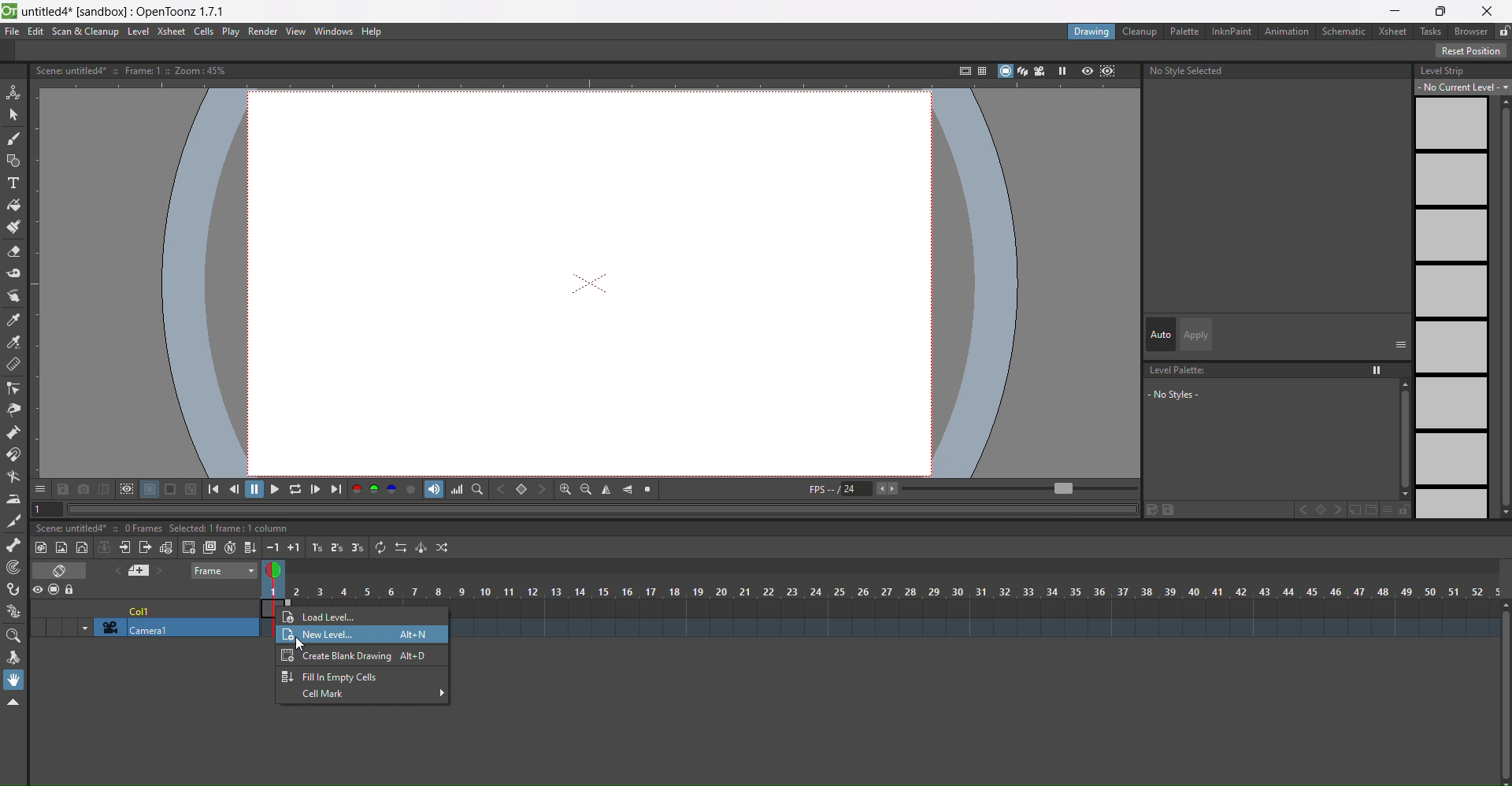  I want to click on , so click(648, 490).